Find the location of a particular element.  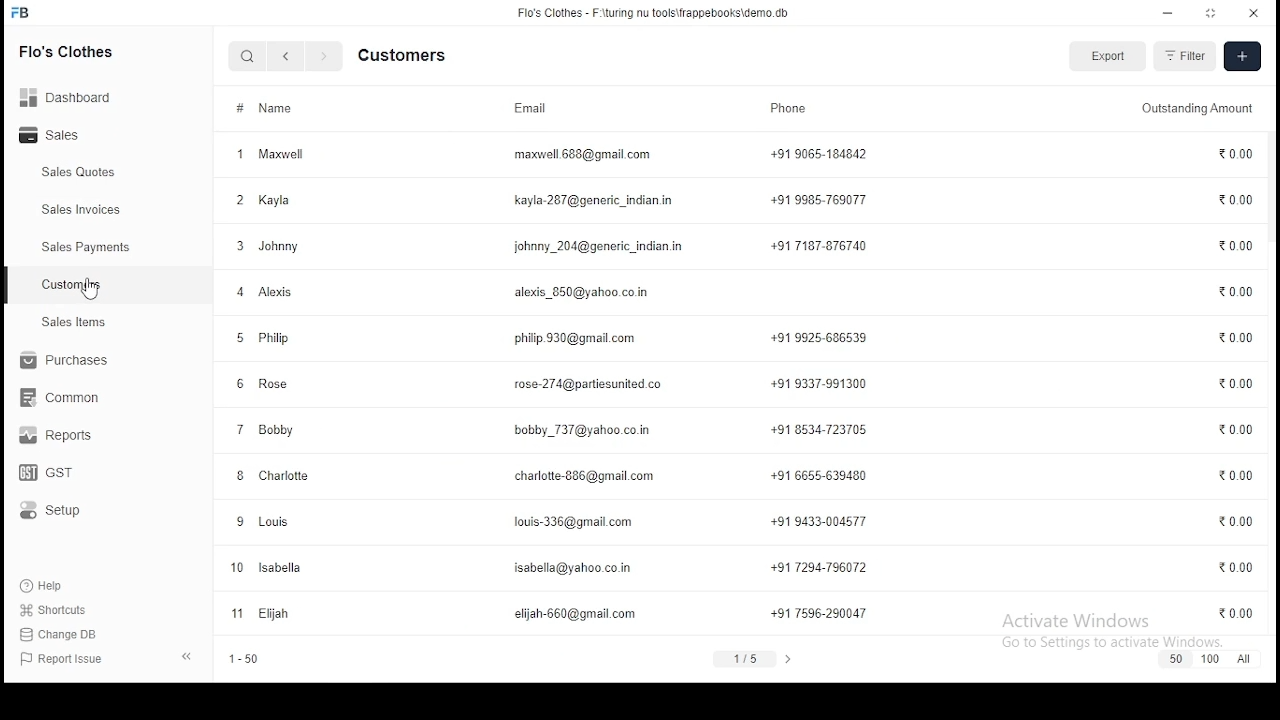

+91 9925-686539 is located at coordinates (817, 338).